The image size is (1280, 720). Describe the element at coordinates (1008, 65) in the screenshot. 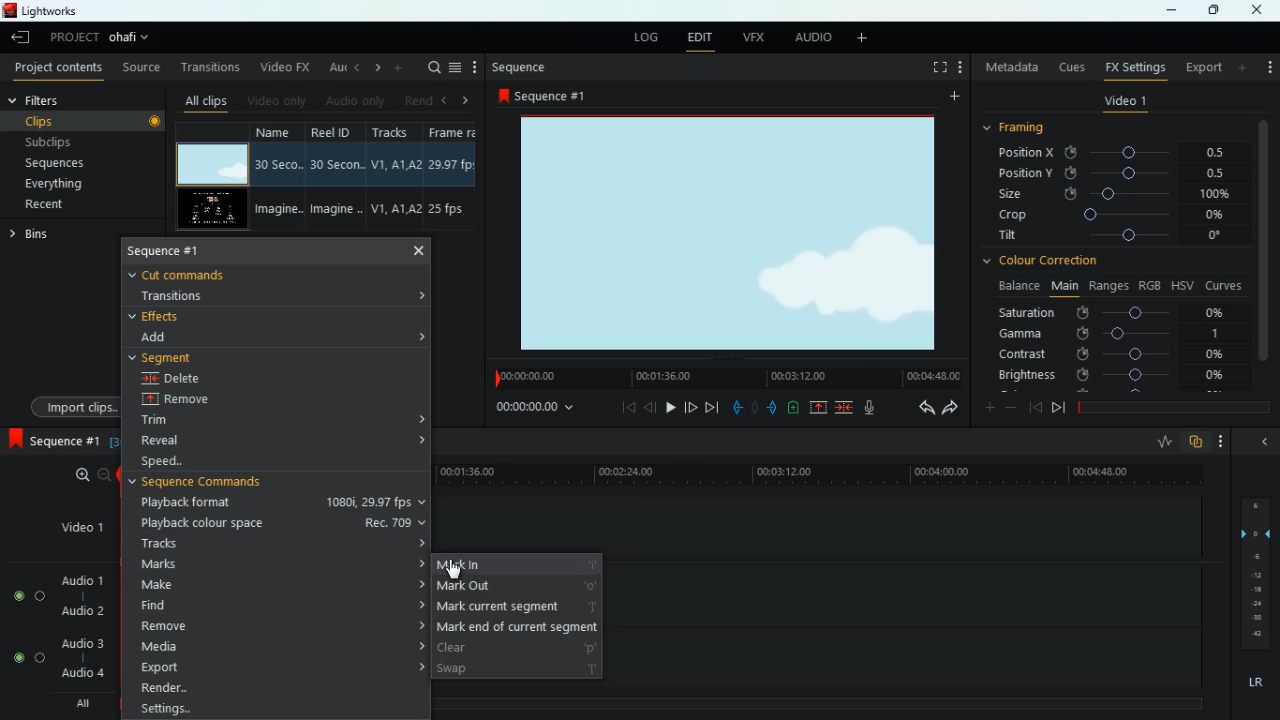

I see `metadata` at that location.